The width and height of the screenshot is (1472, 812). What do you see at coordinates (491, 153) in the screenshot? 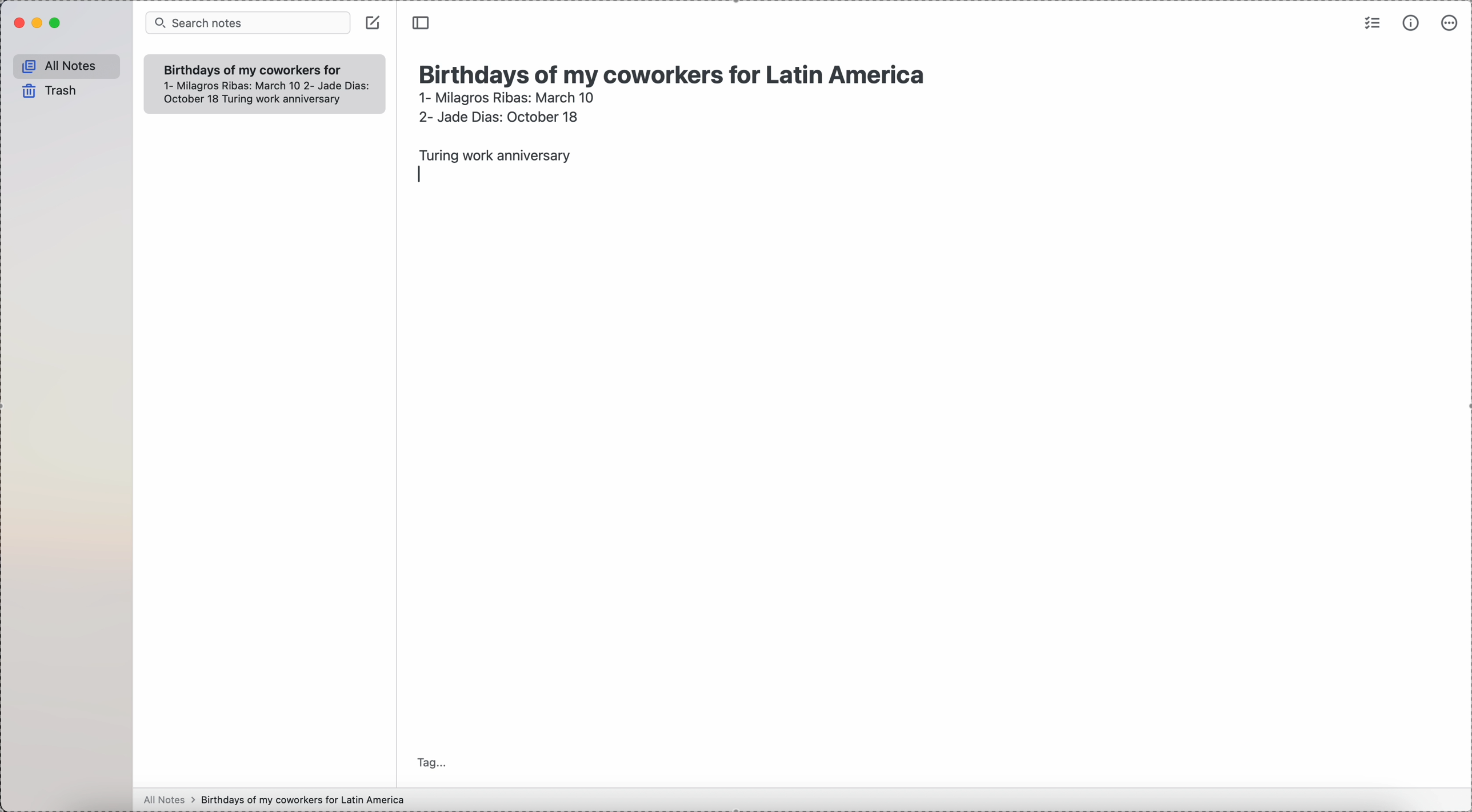
I see `Turing work anniversary` at bounding box center [491, 153].